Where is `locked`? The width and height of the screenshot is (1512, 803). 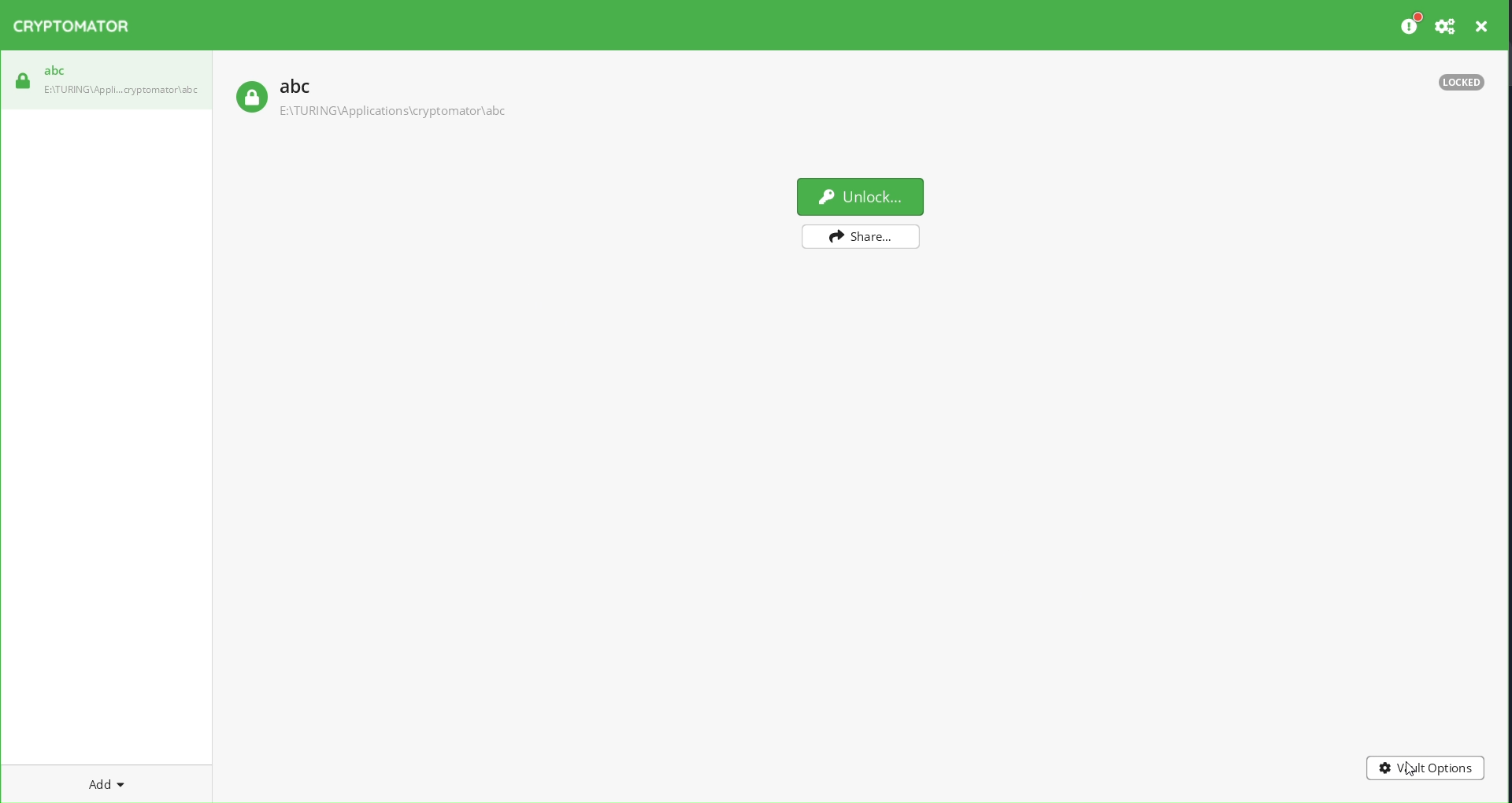
locked is located at coordinates (248, 97).